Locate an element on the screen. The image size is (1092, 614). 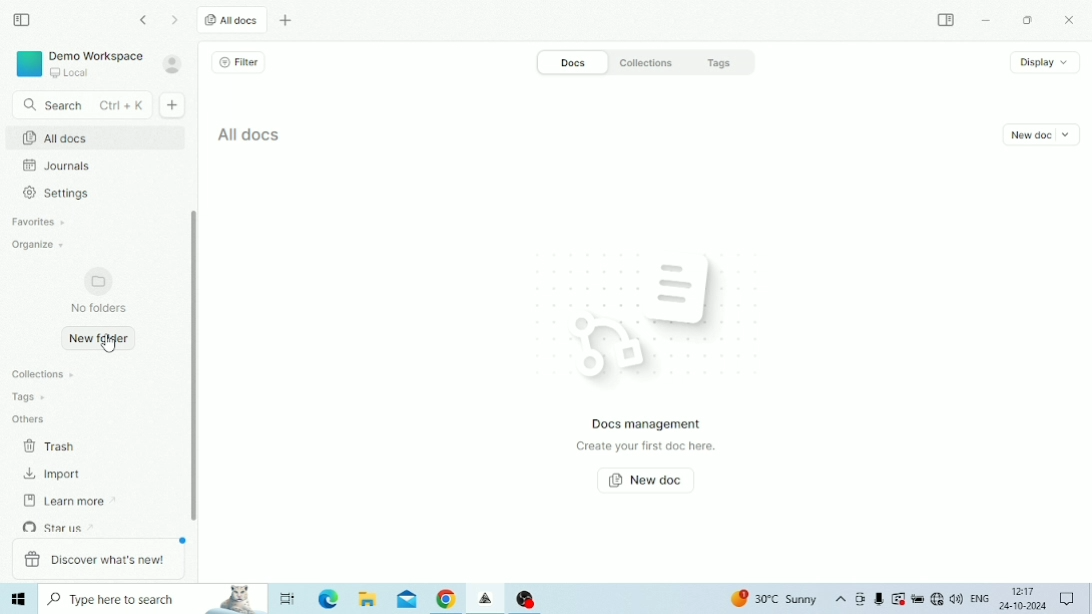
All docs is located at coordinates (94, 137).